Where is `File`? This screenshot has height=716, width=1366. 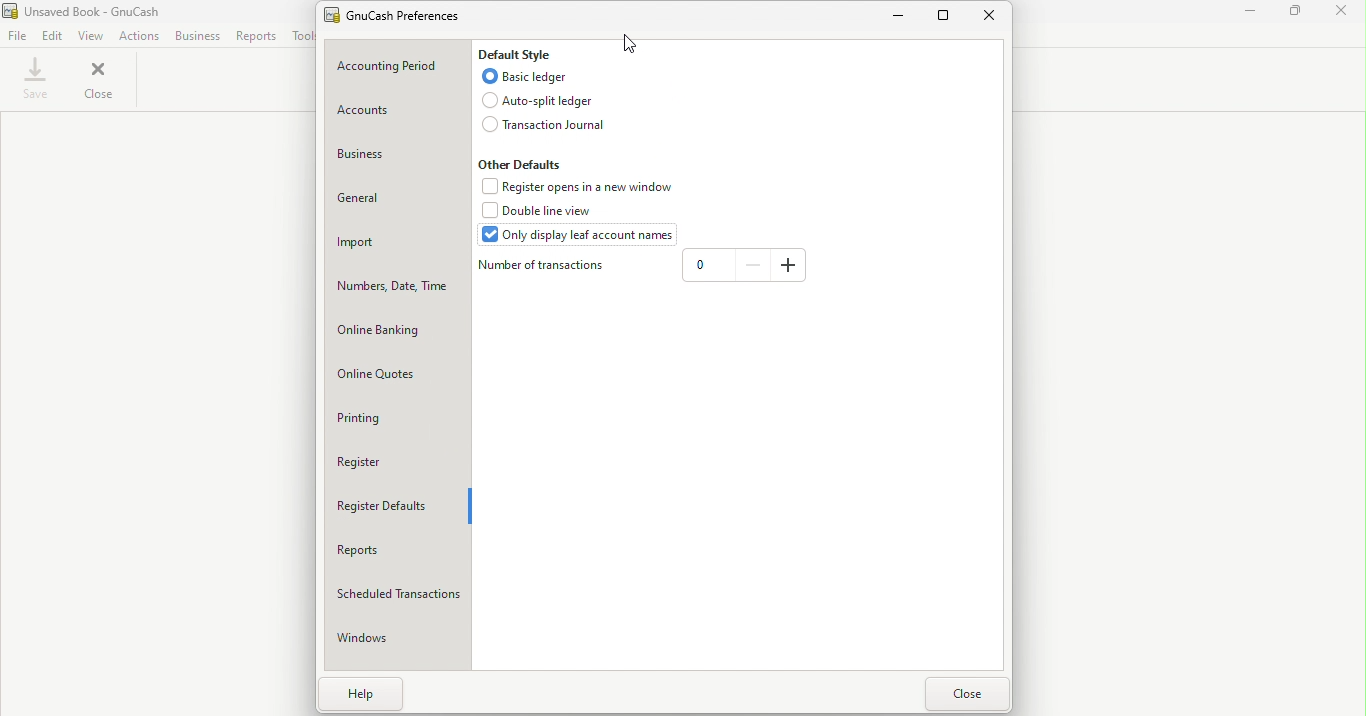 File is located at coordinates (17, 35).